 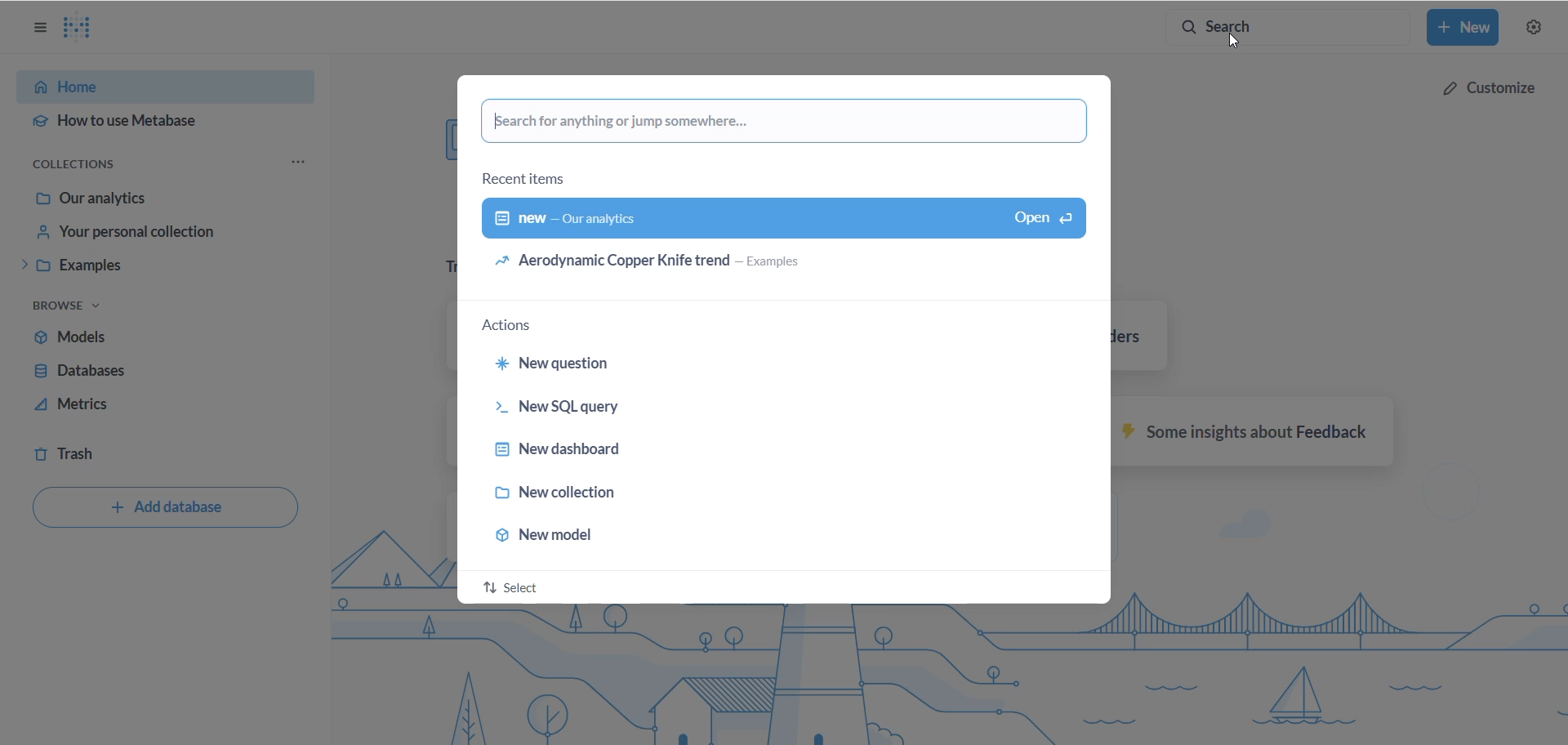 What do you see at coordinates (1536, 30) in the screenshot?
I see `settings` at bounding box center [1536, 30].